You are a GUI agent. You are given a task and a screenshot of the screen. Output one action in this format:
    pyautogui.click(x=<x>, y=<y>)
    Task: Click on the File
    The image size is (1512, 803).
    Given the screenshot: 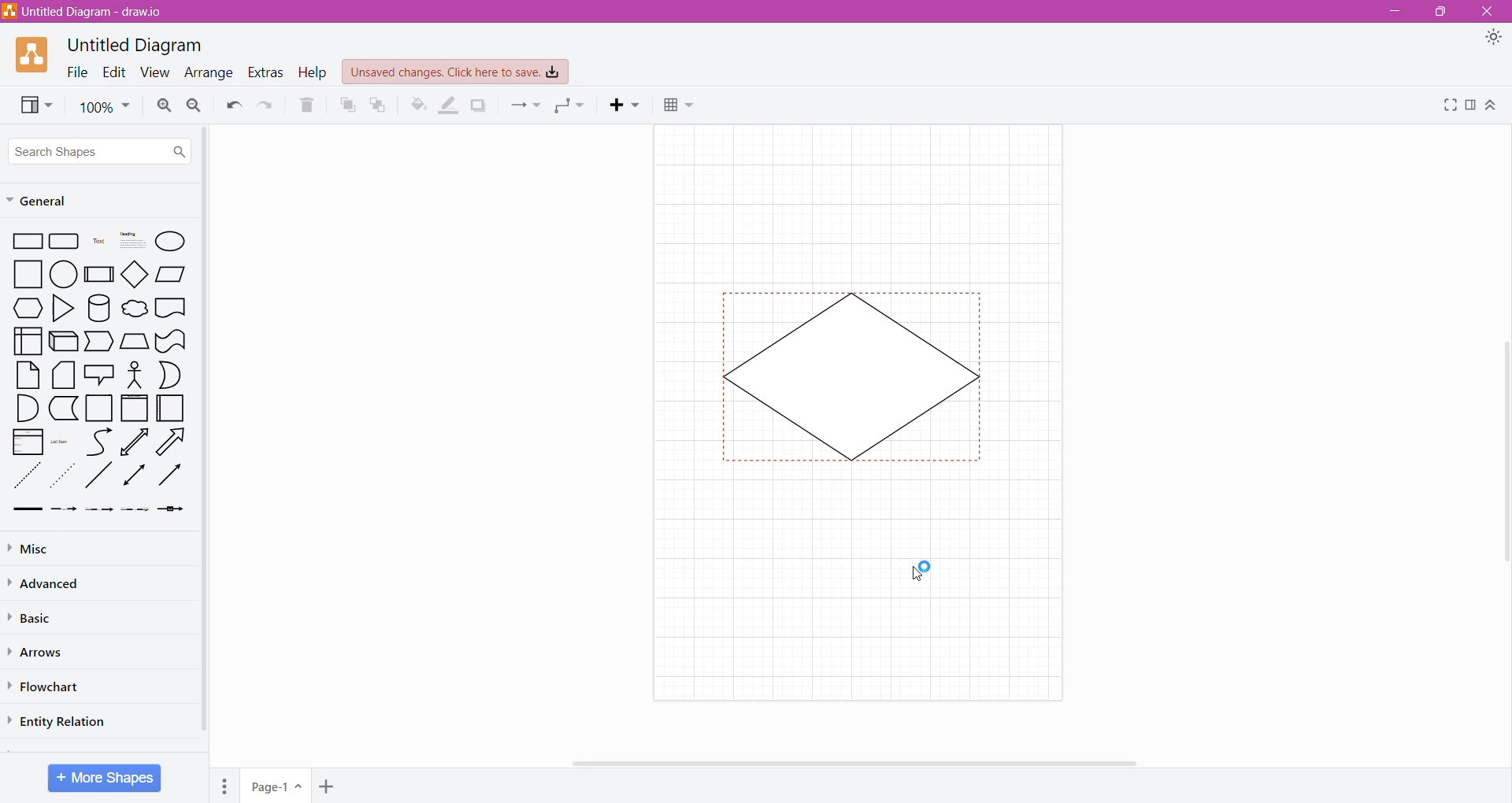 What is the action you would take?
    pyautogui.click(x=76, y=72)
    